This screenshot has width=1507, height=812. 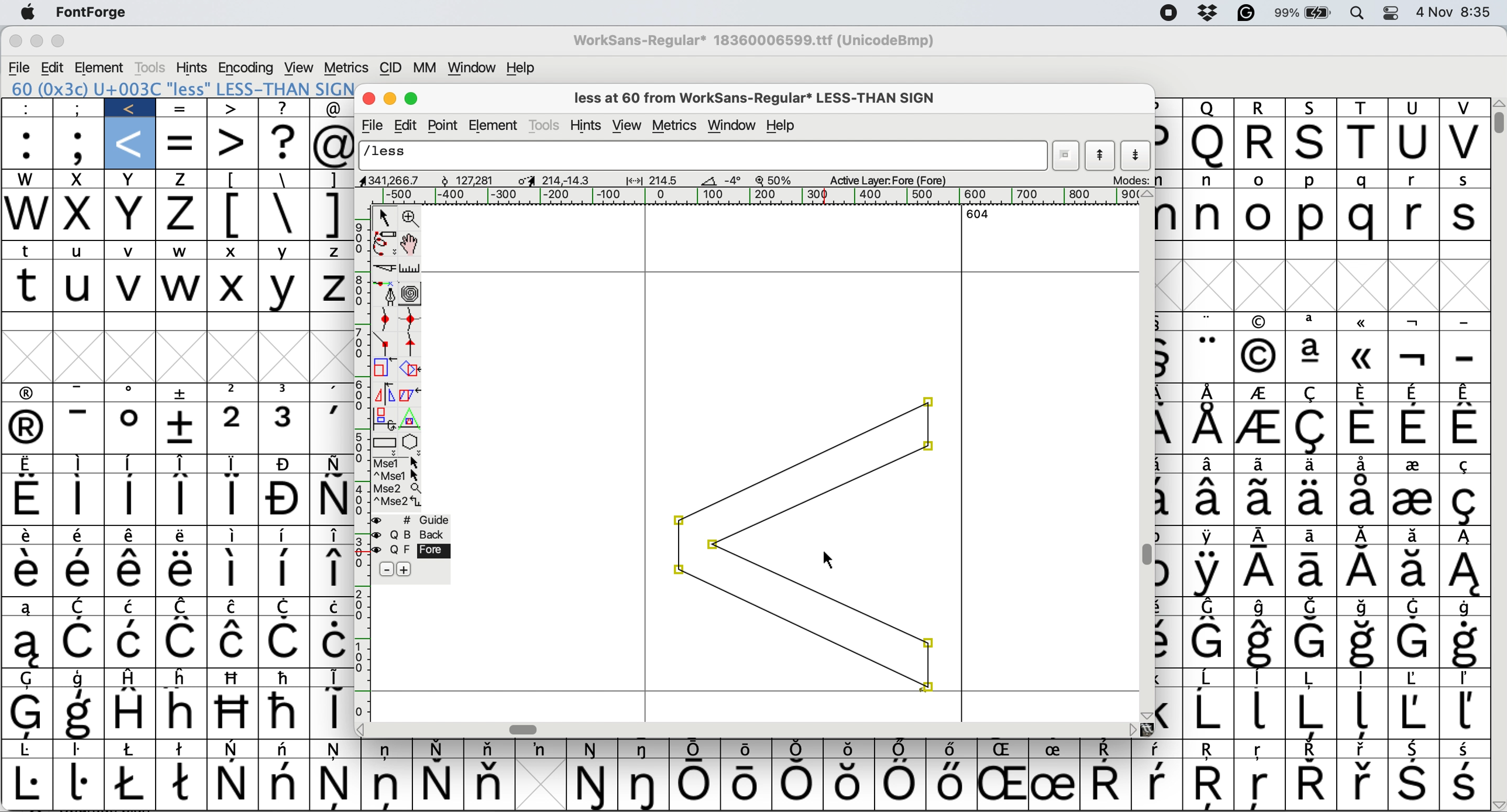 I want to click on Symbol, so click(x=1363, y=536).